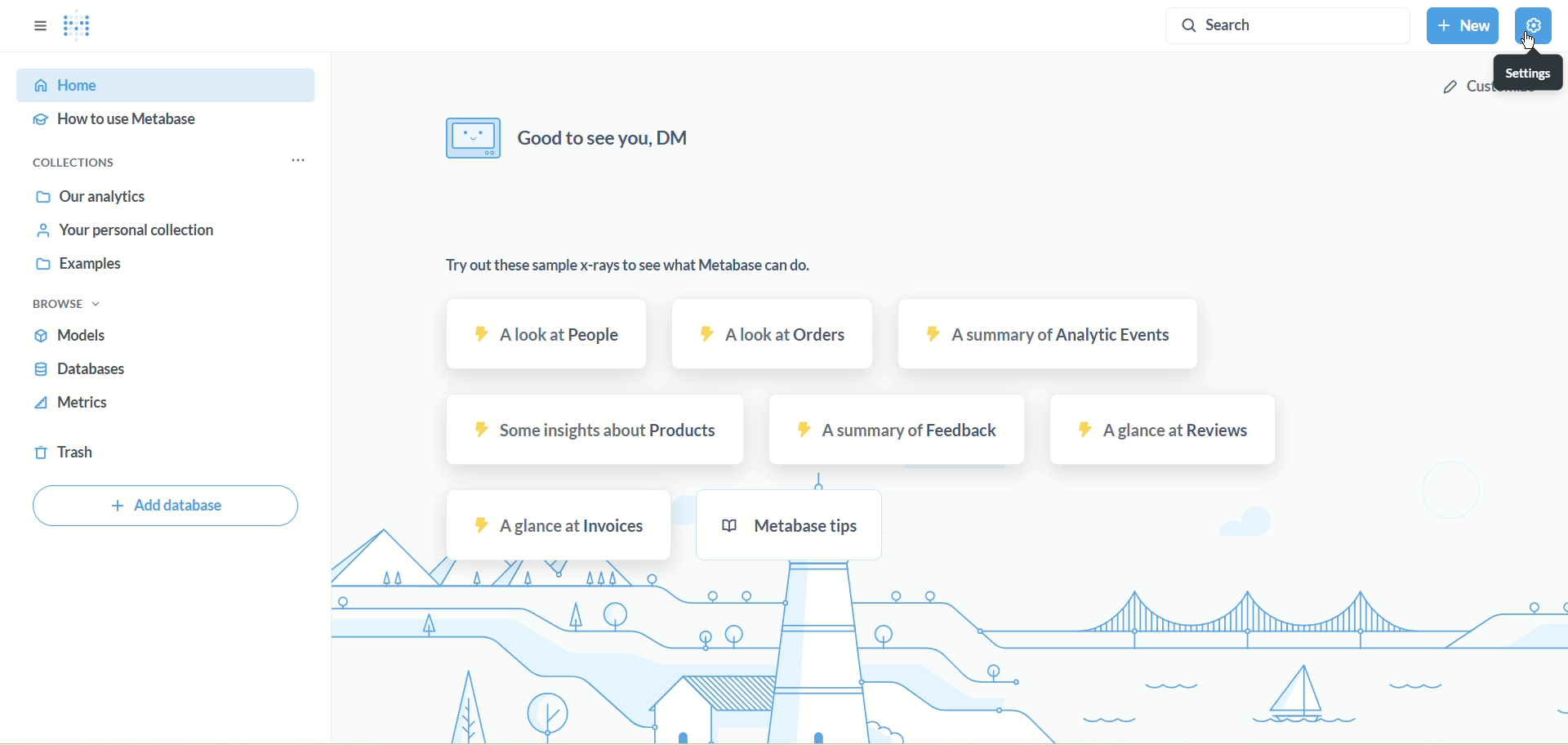 The width and height of the screenshot is (1568, 745). What do you see at coordinates (787, 524) in the screenshot?
I see `metabase tips` at bounding box center [787, 524].